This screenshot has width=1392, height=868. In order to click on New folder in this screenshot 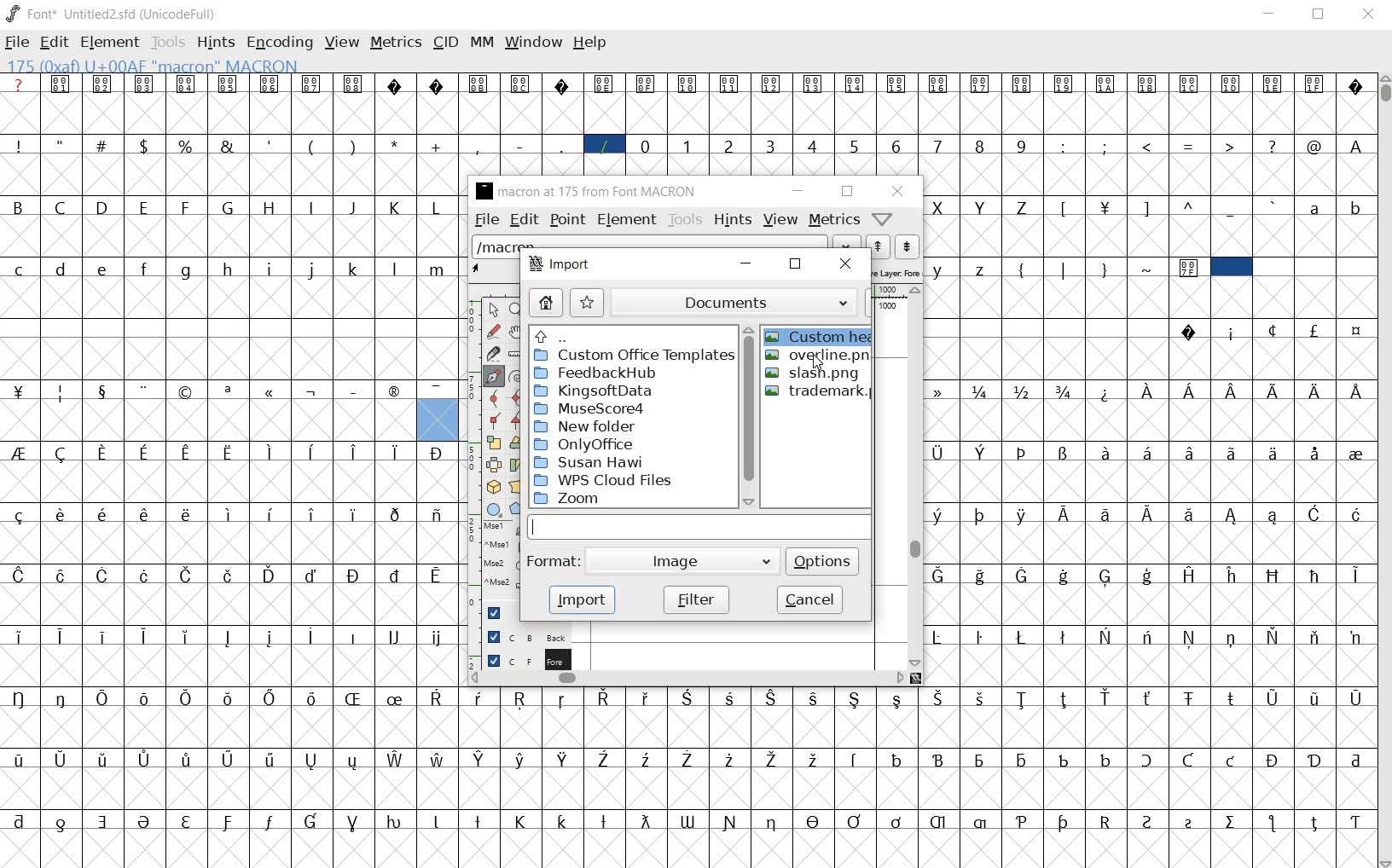, I will do `click(631, 426)`.